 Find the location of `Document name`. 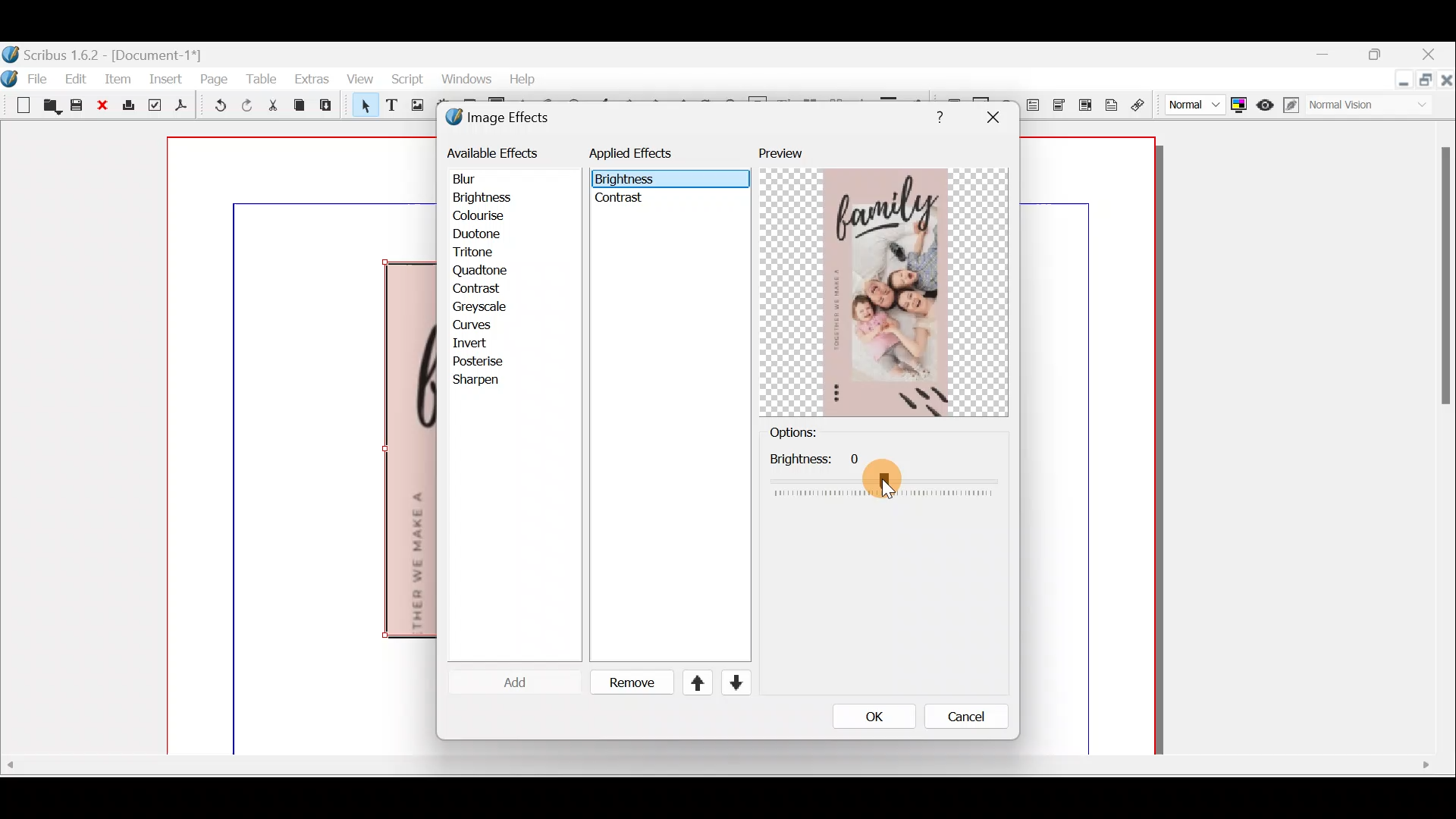

Document name is located at coordinates (104, 53).